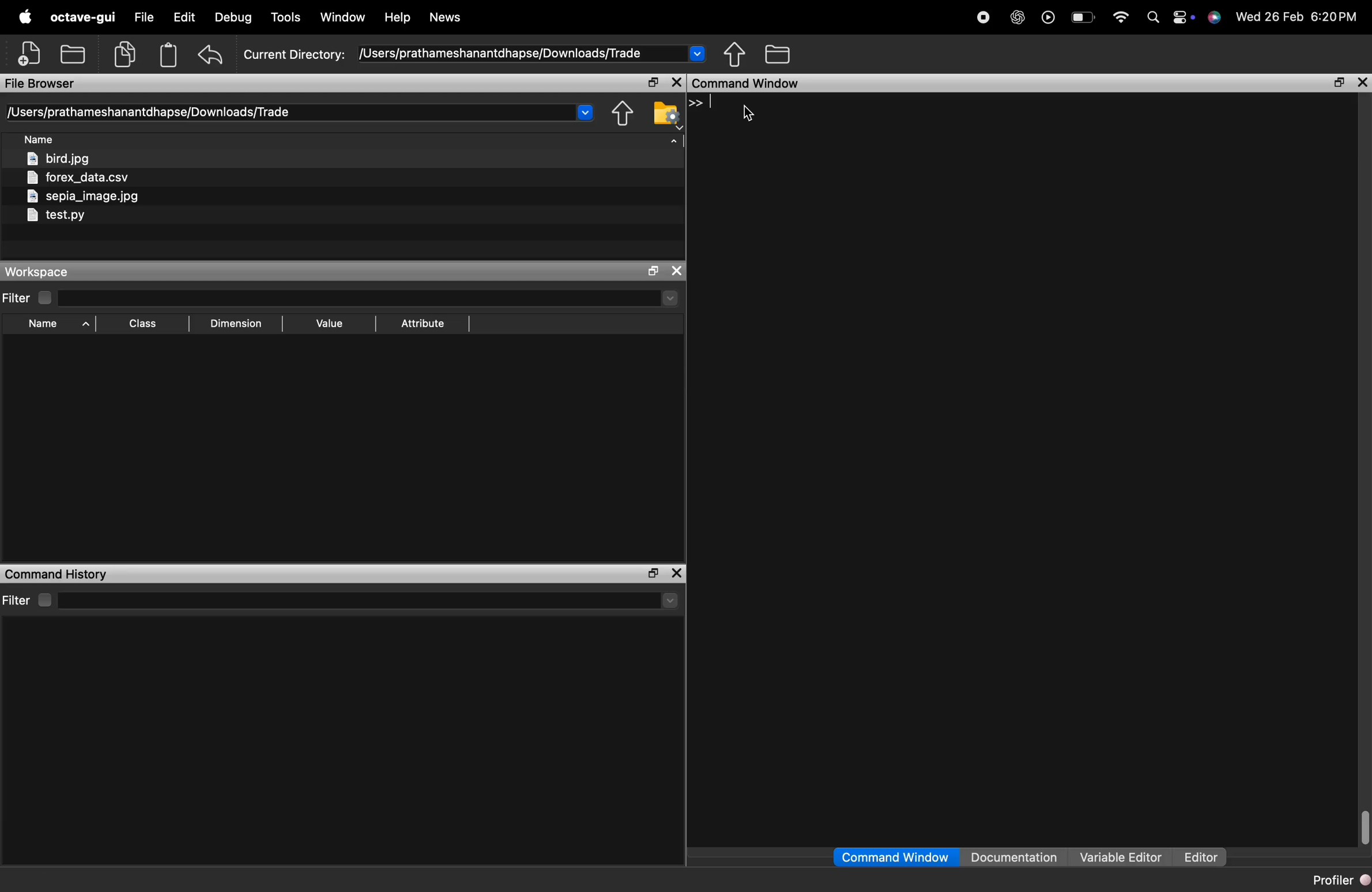  Describe the element at coordinates (1084, 17) in the screenshot. I see `battery` at that location.